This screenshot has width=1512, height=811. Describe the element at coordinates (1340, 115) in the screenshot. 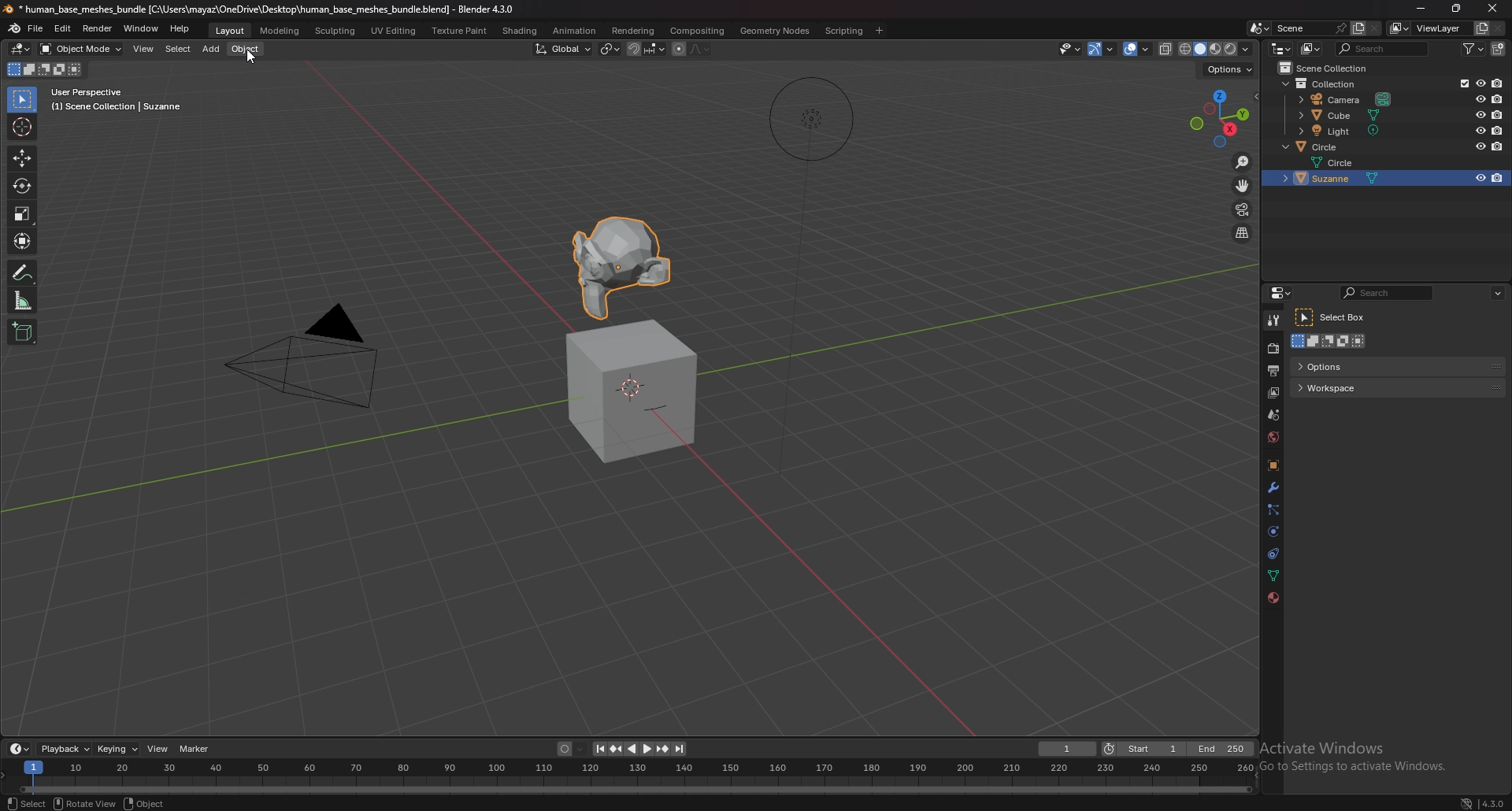

I see `cube` at that location.